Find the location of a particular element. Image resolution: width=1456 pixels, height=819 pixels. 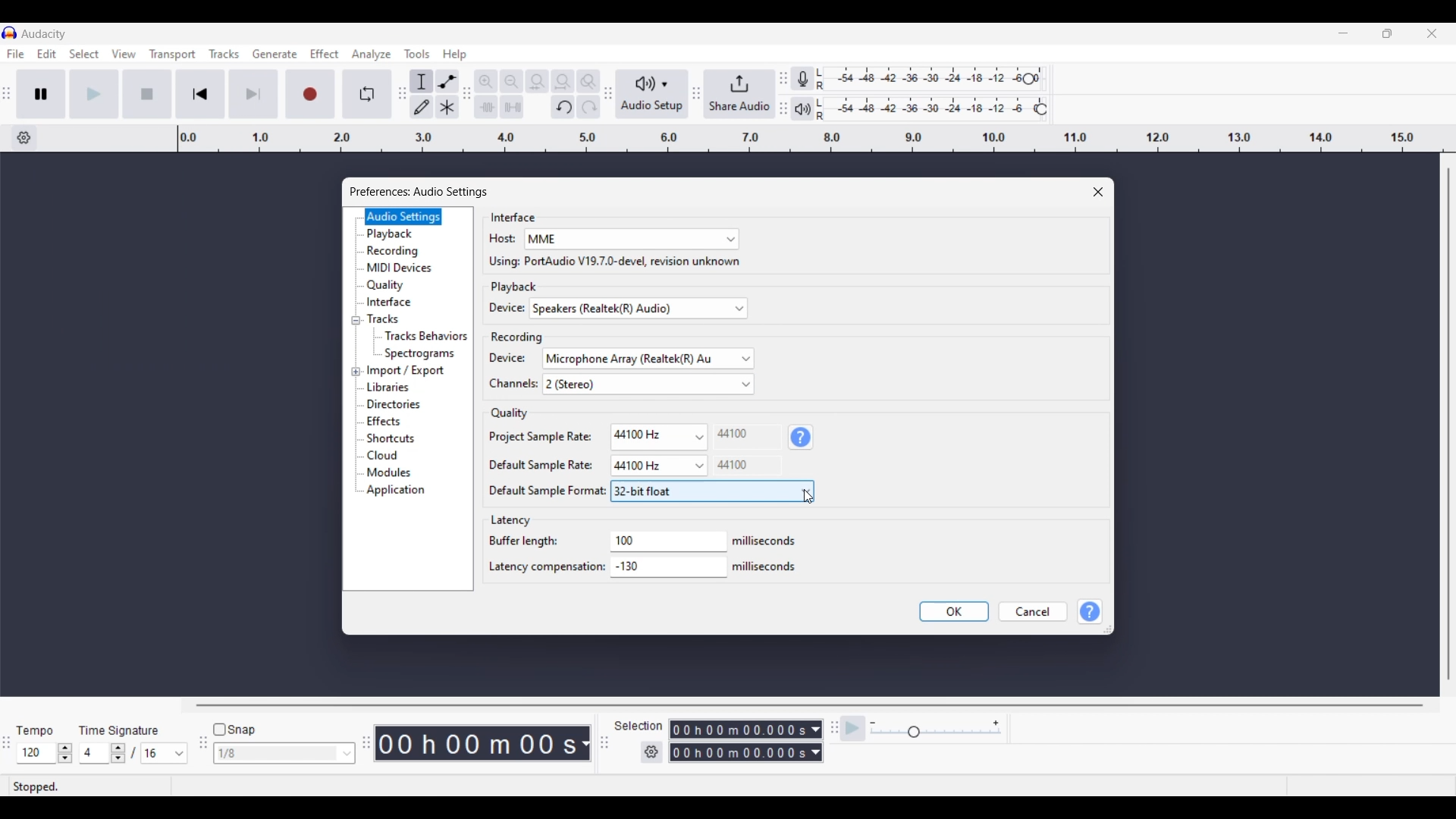

Enable looping is located at coordinates (368, 94).